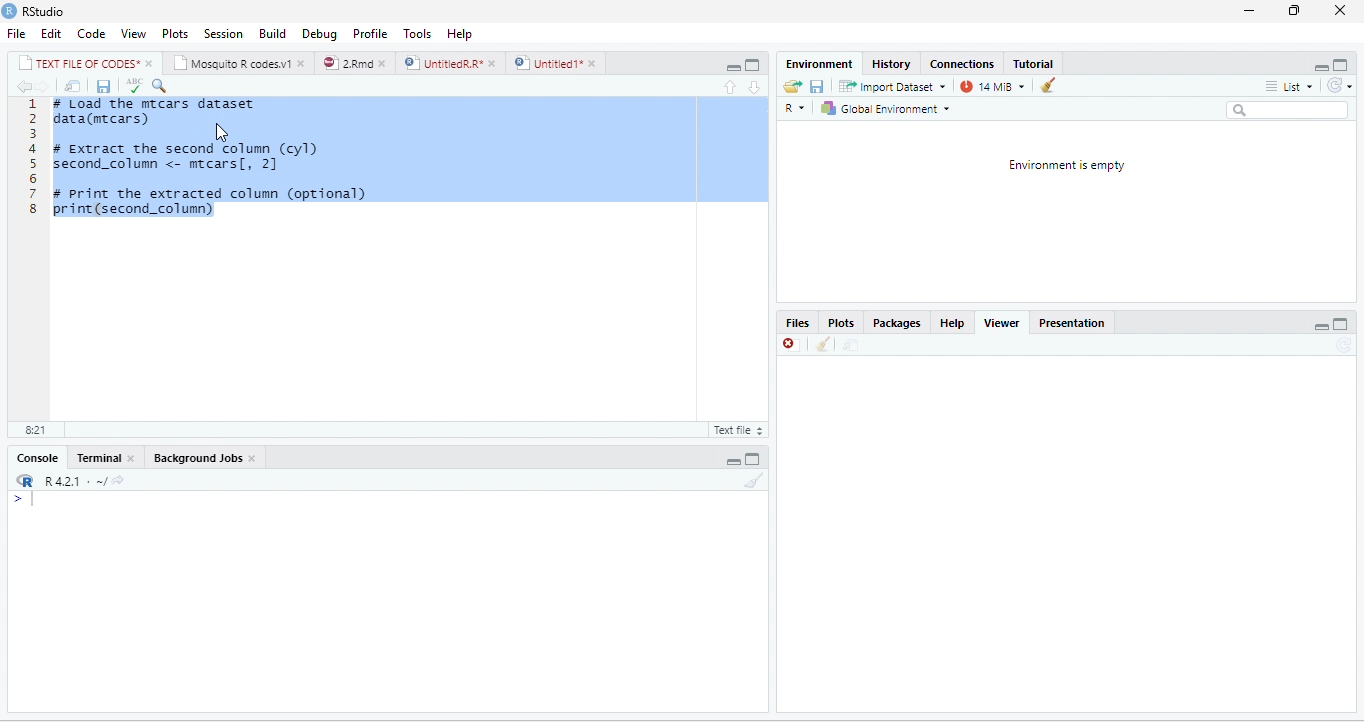  Describe the element at coordinates (9, 11) in the screenshot. I see `RStudio logo` at that location.